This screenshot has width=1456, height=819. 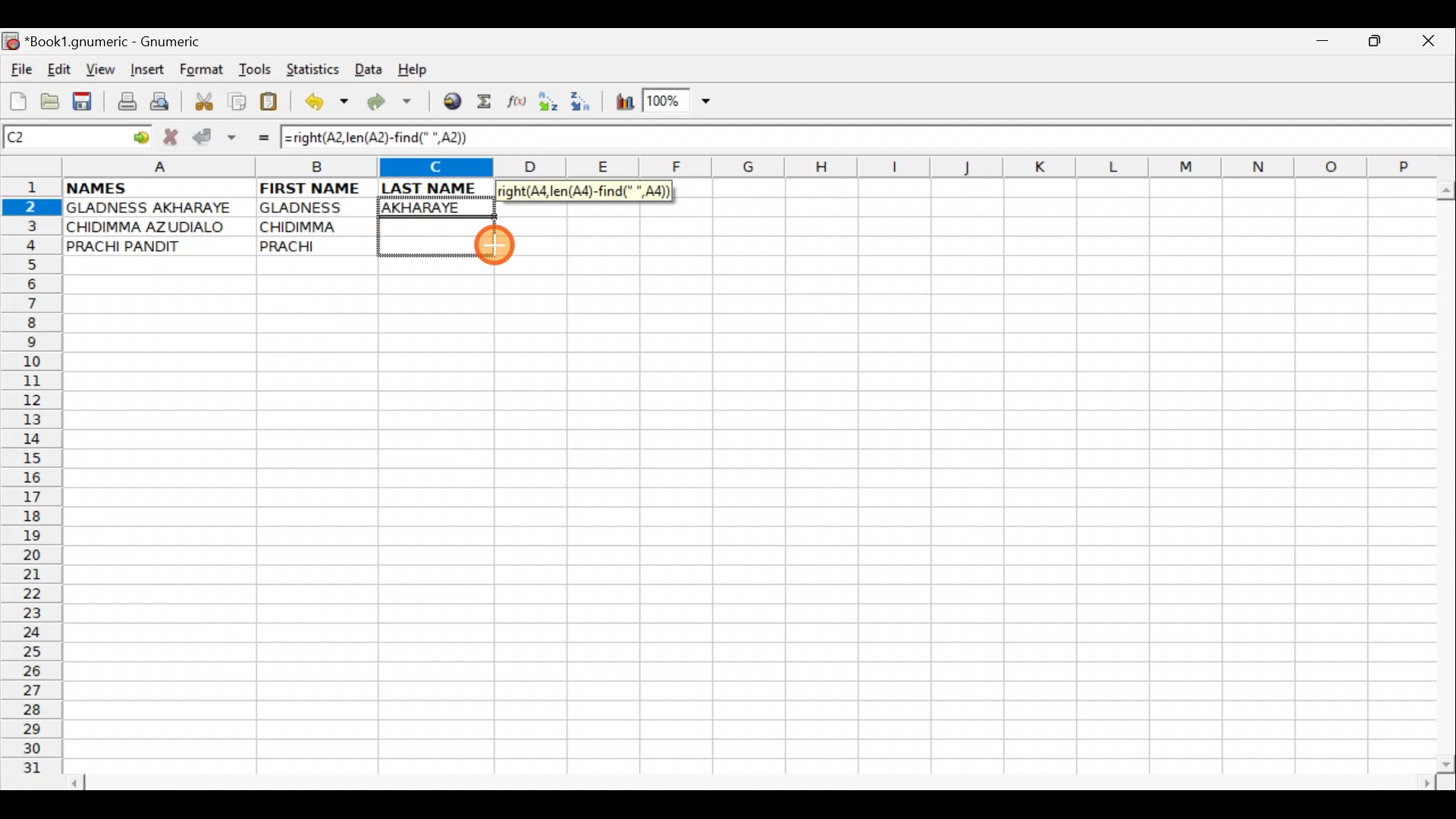 What do you see at coordinates (317, 243) in the screenshot?
I see `PRACHI` at bounding box center [317, 243].